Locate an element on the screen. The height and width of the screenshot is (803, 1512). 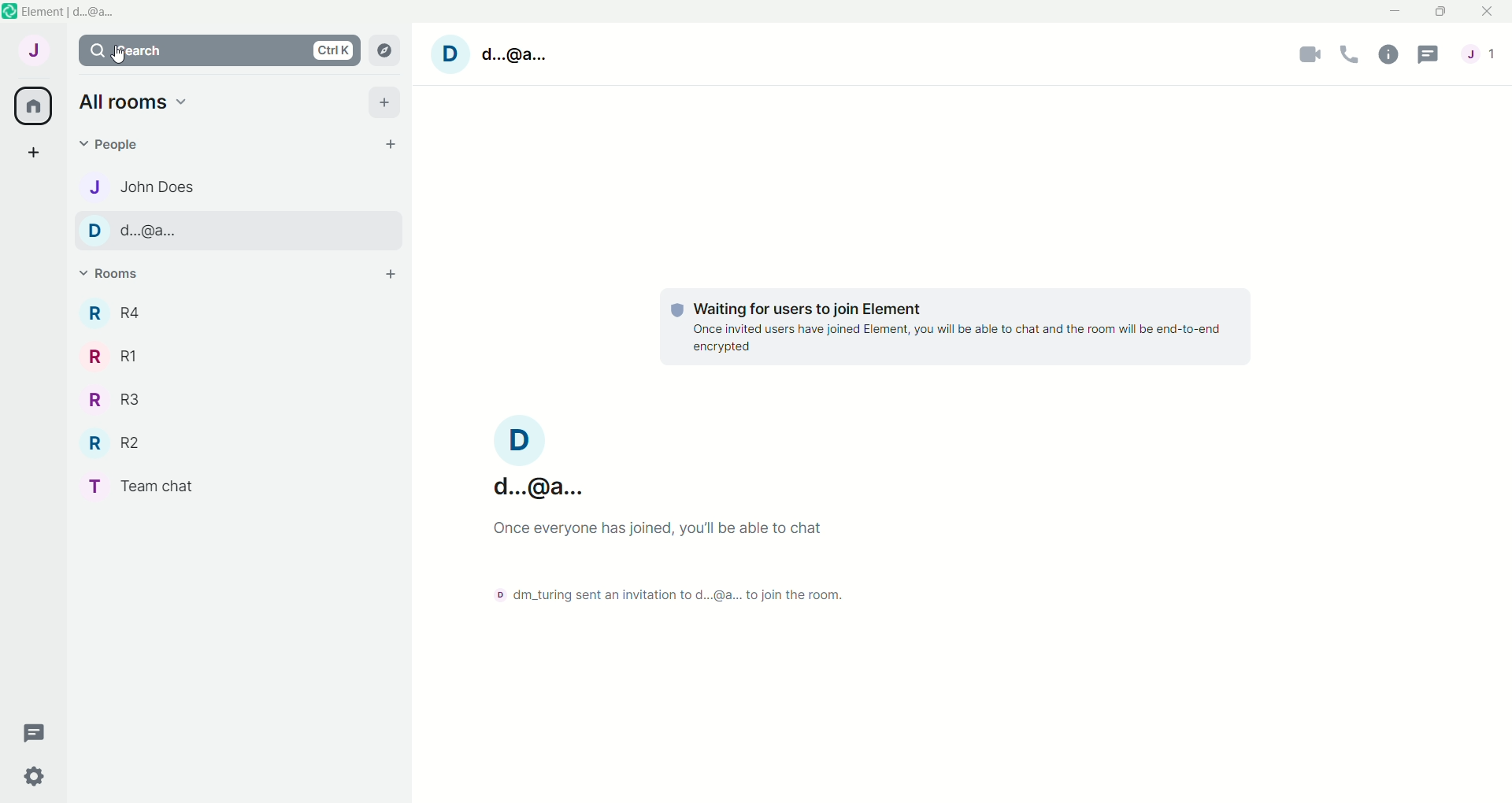
d..@a.. is located at coordinates (139, 231).